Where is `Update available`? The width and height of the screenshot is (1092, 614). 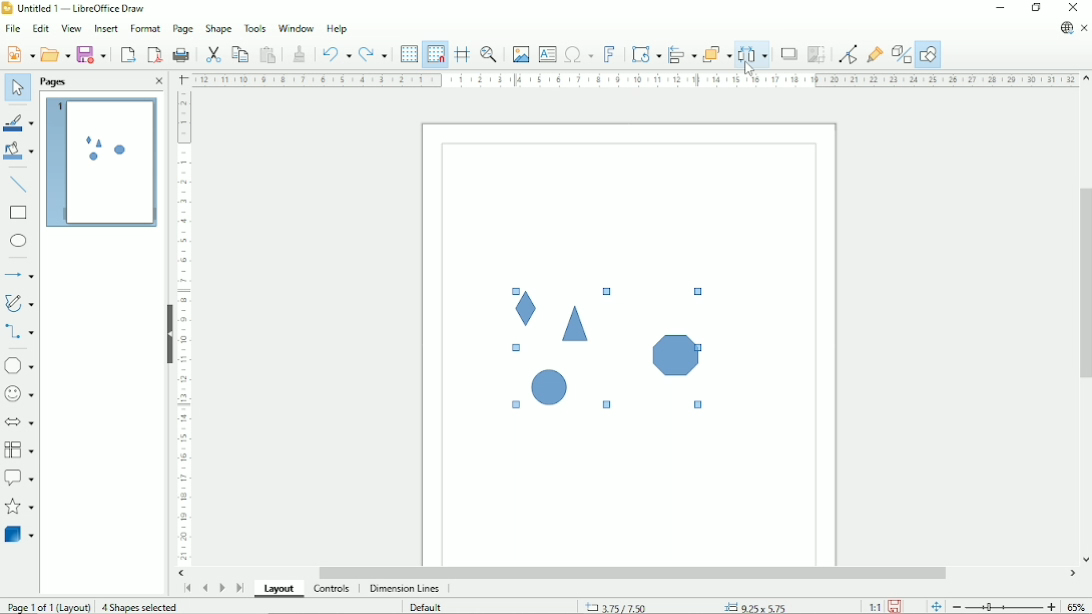
Update available is located at coordinates (1066, 28).